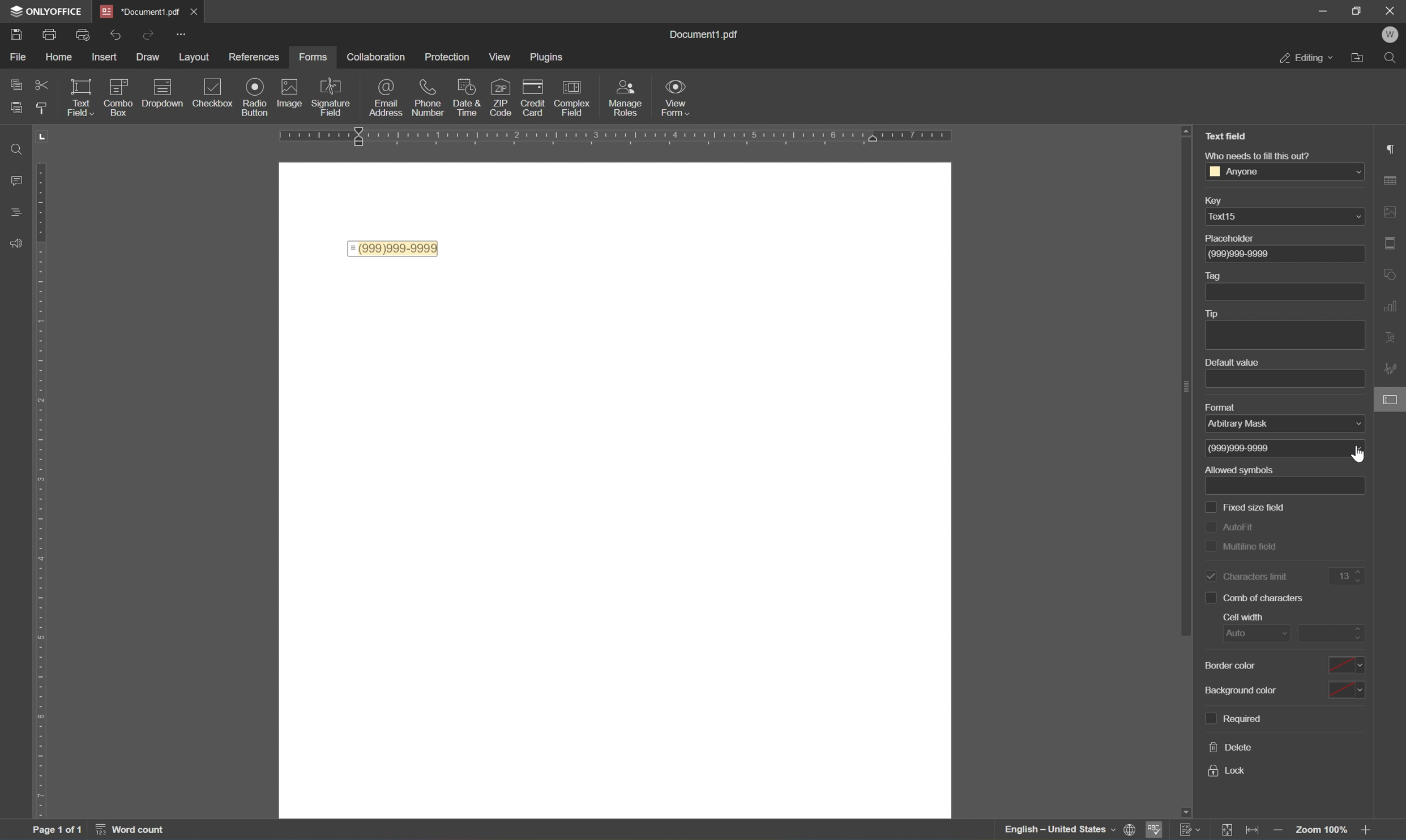 This screenshot has height=840, width=1406. Describe the element at coordinates (1290, 688) in the screenshot. I see `background color` at that location.